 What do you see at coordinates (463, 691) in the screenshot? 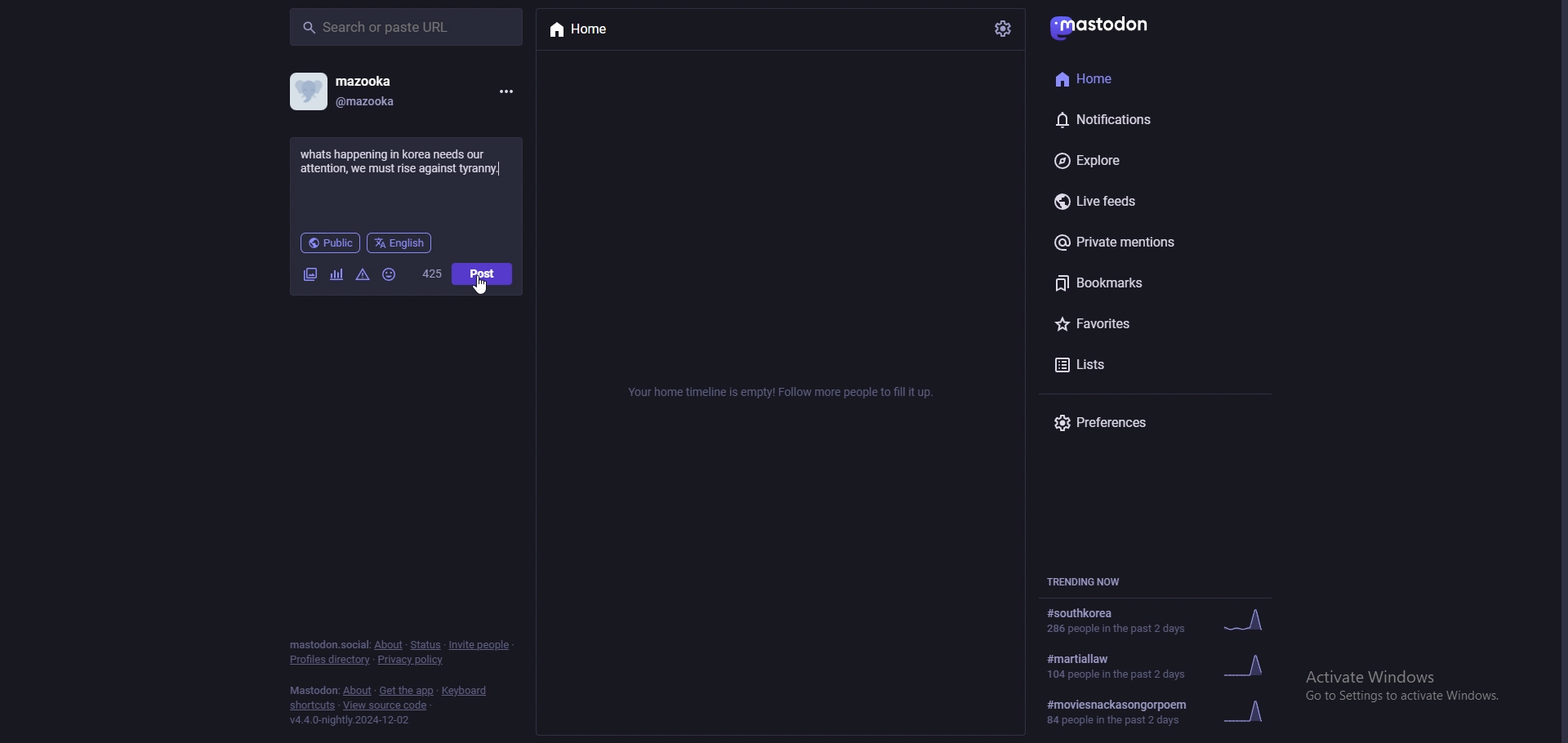
I see `keyboard` at bounding box center [463, 691].